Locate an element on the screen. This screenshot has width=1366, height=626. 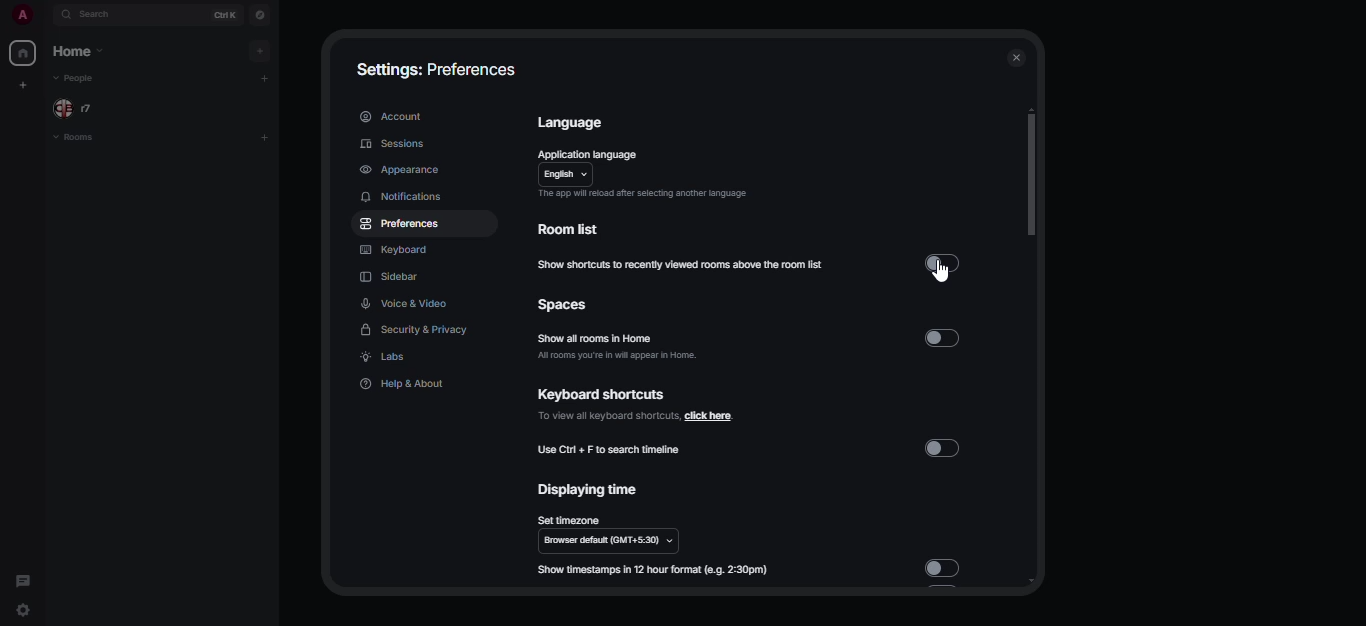
displaying time is located at coordinates (593, 489).